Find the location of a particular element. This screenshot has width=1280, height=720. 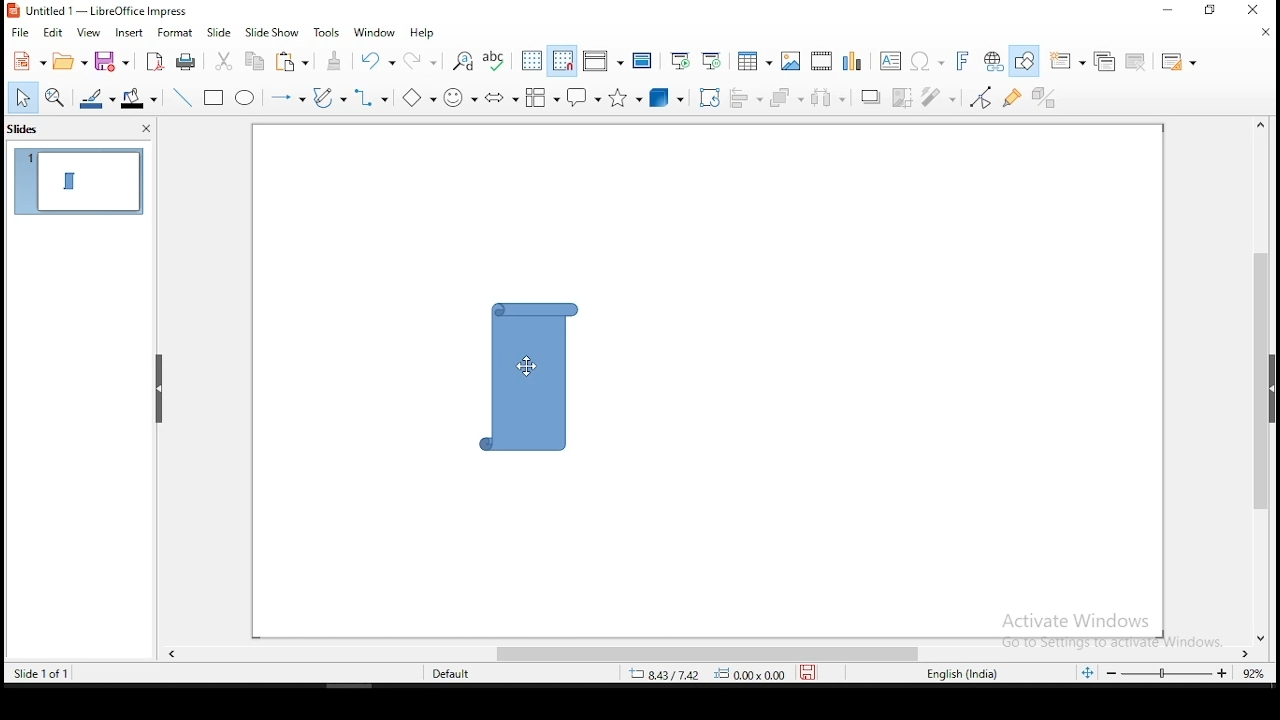

align objects is located at coordinates (747, 95).